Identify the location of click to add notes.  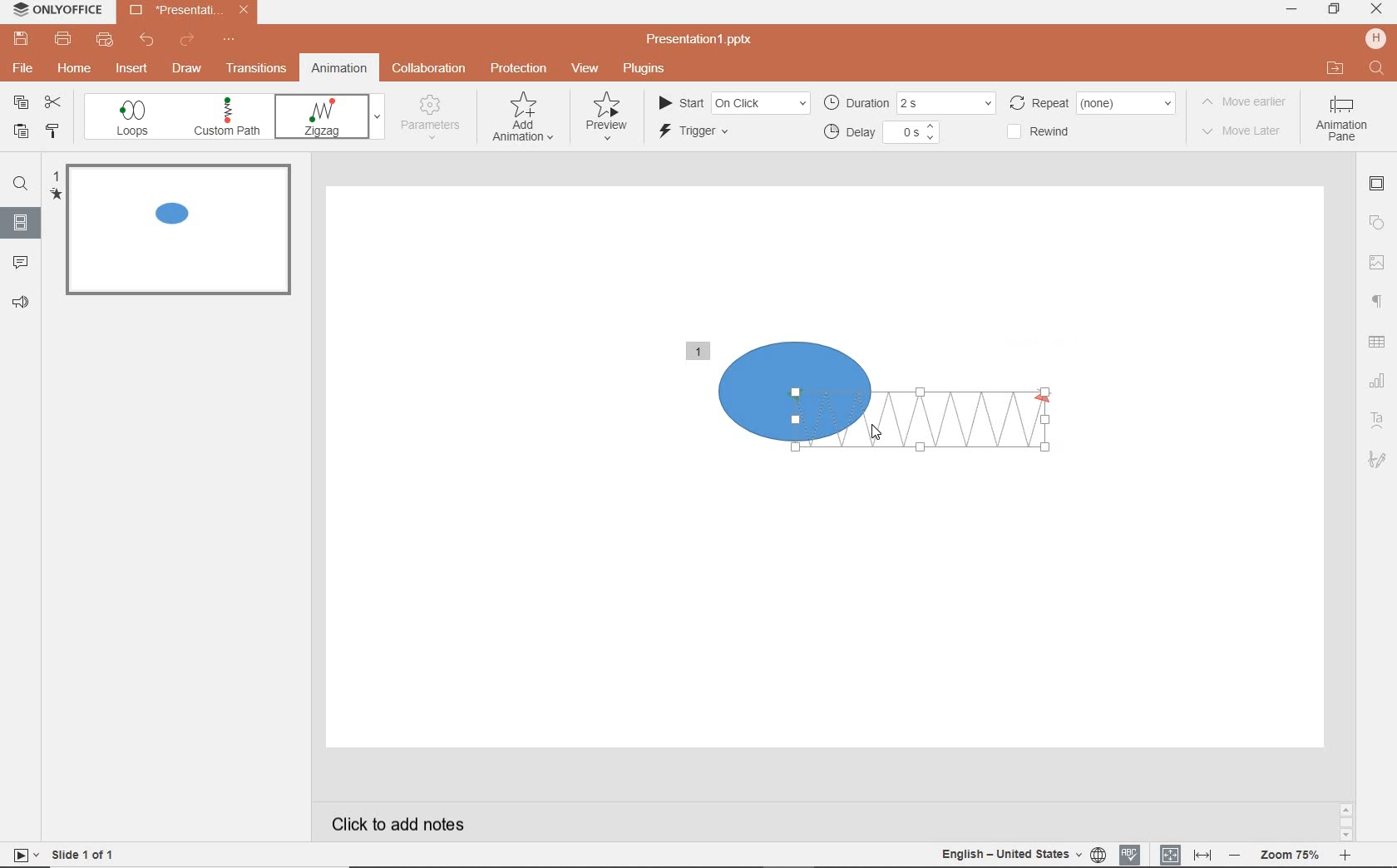
(402, 819).